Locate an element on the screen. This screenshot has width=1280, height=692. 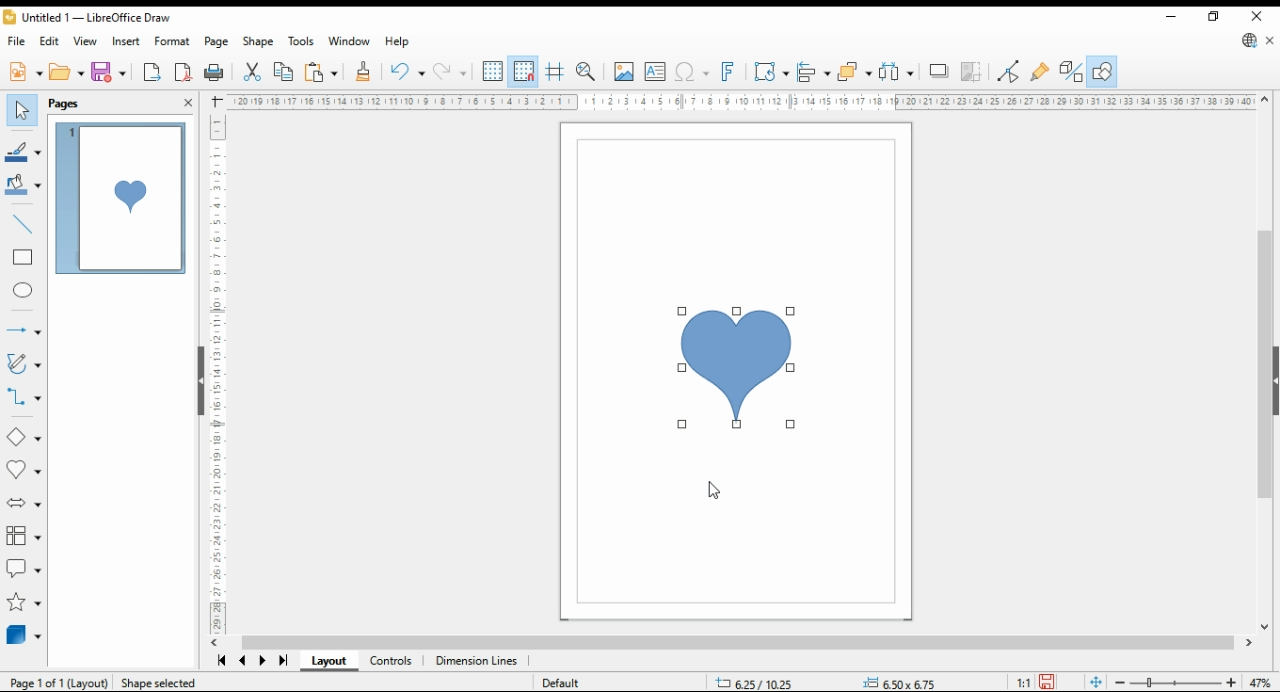
restore is located at coordinates (1213, 17).